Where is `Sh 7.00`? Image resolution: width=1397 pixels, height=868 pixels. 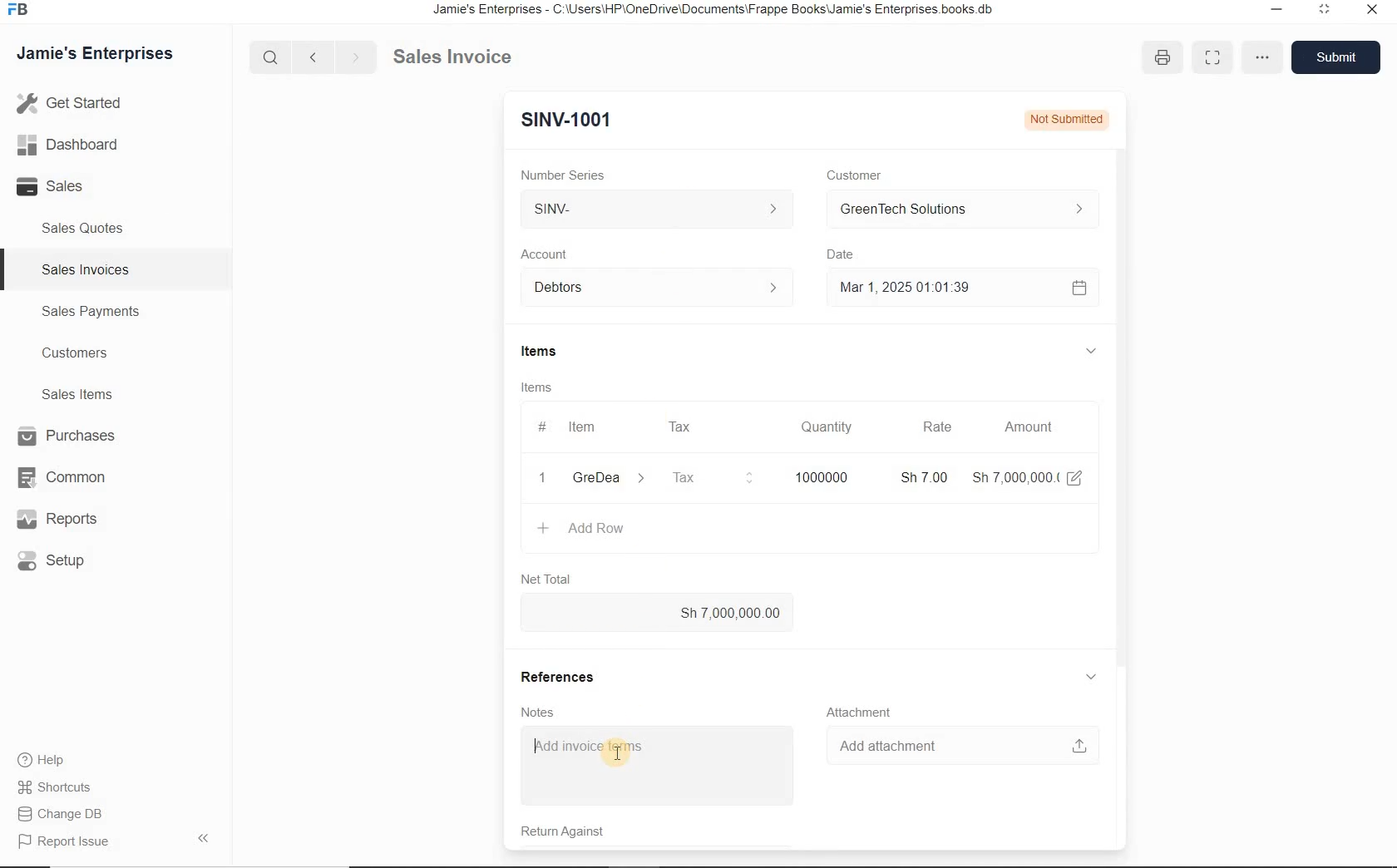 Sh 7.00 is located at coordinates (921, 476).